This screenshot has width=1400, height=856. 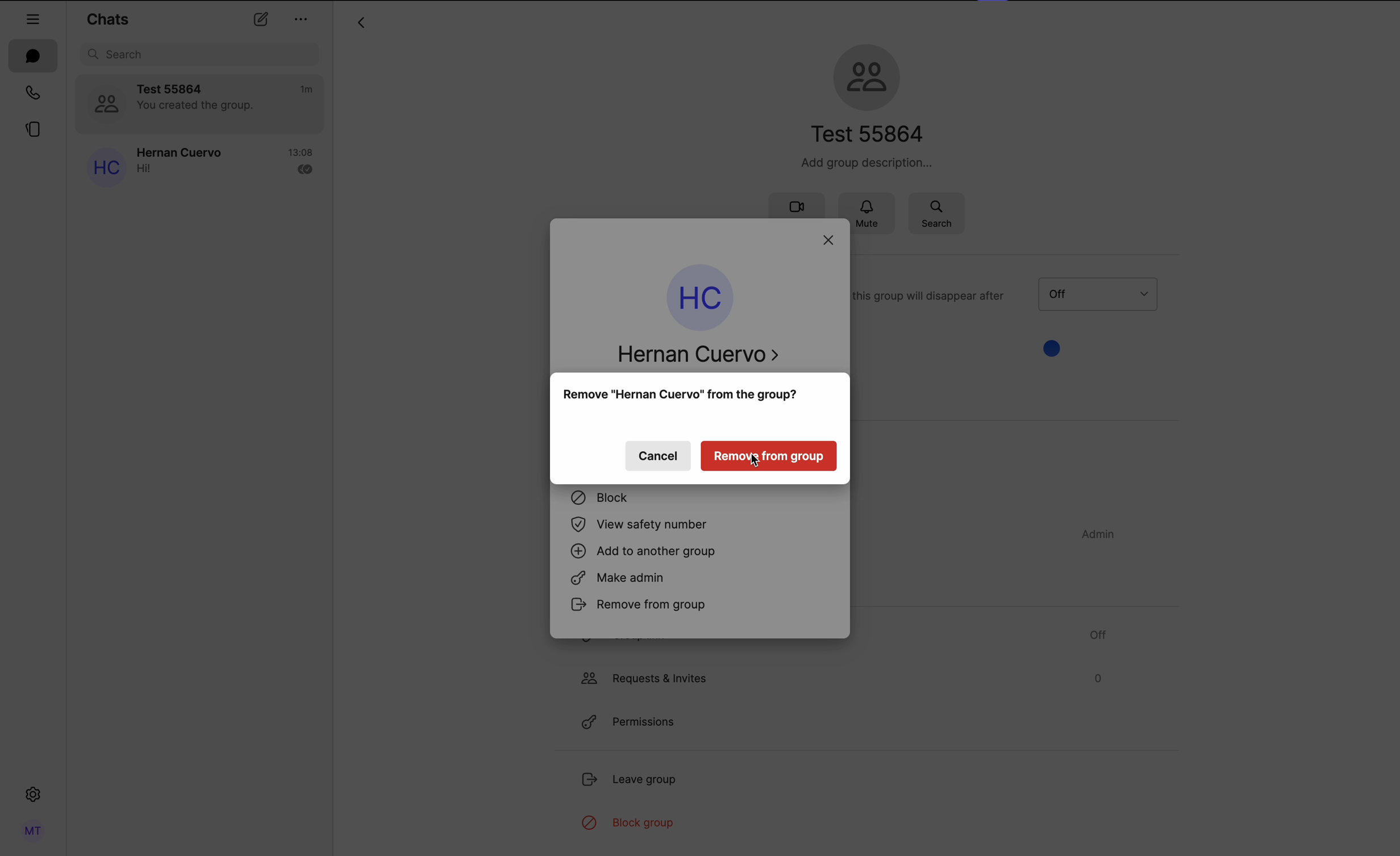 I want to click on arrow, so click(x=360, y=24).